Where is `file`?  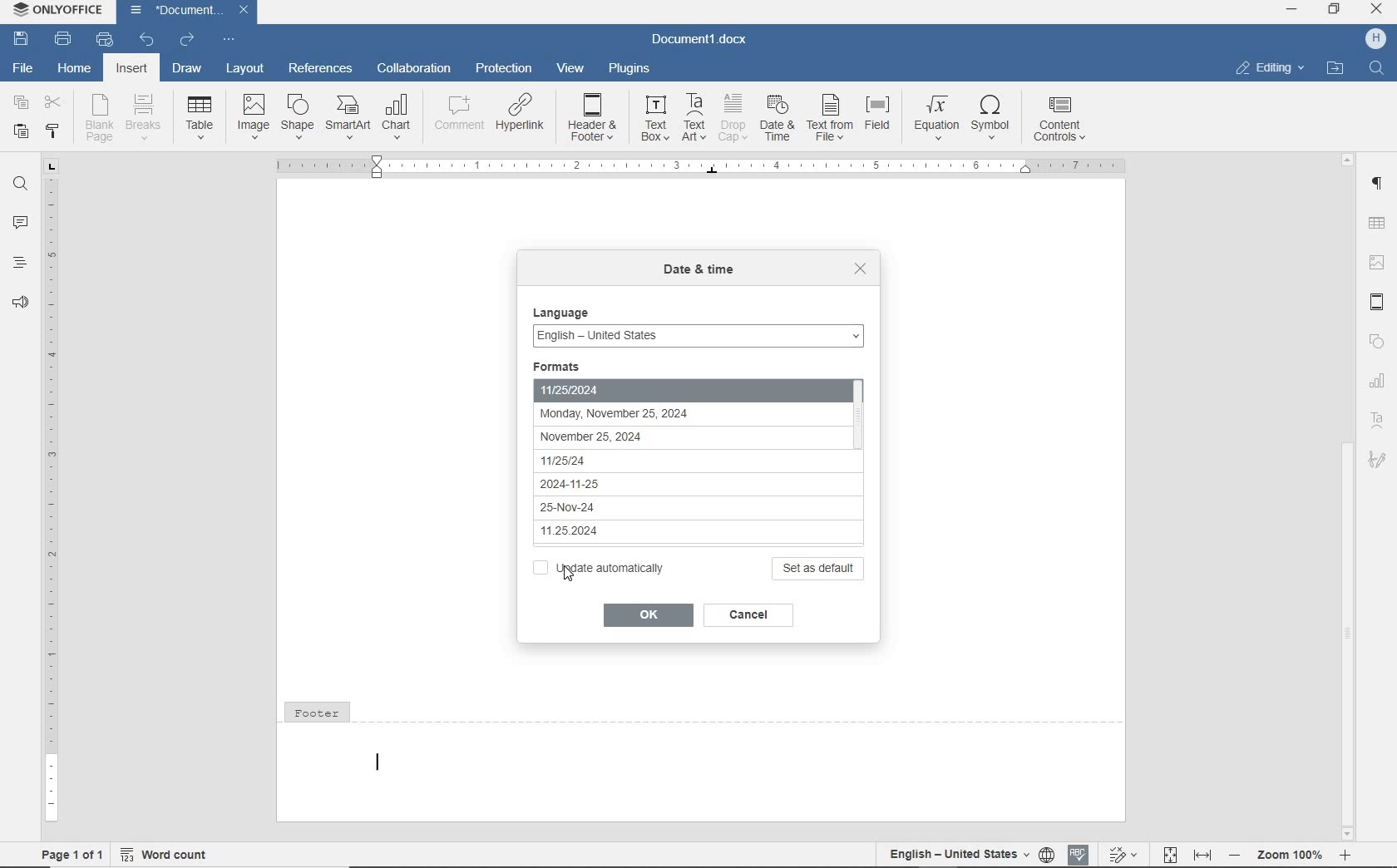
file is located at coordinates (24, 69).